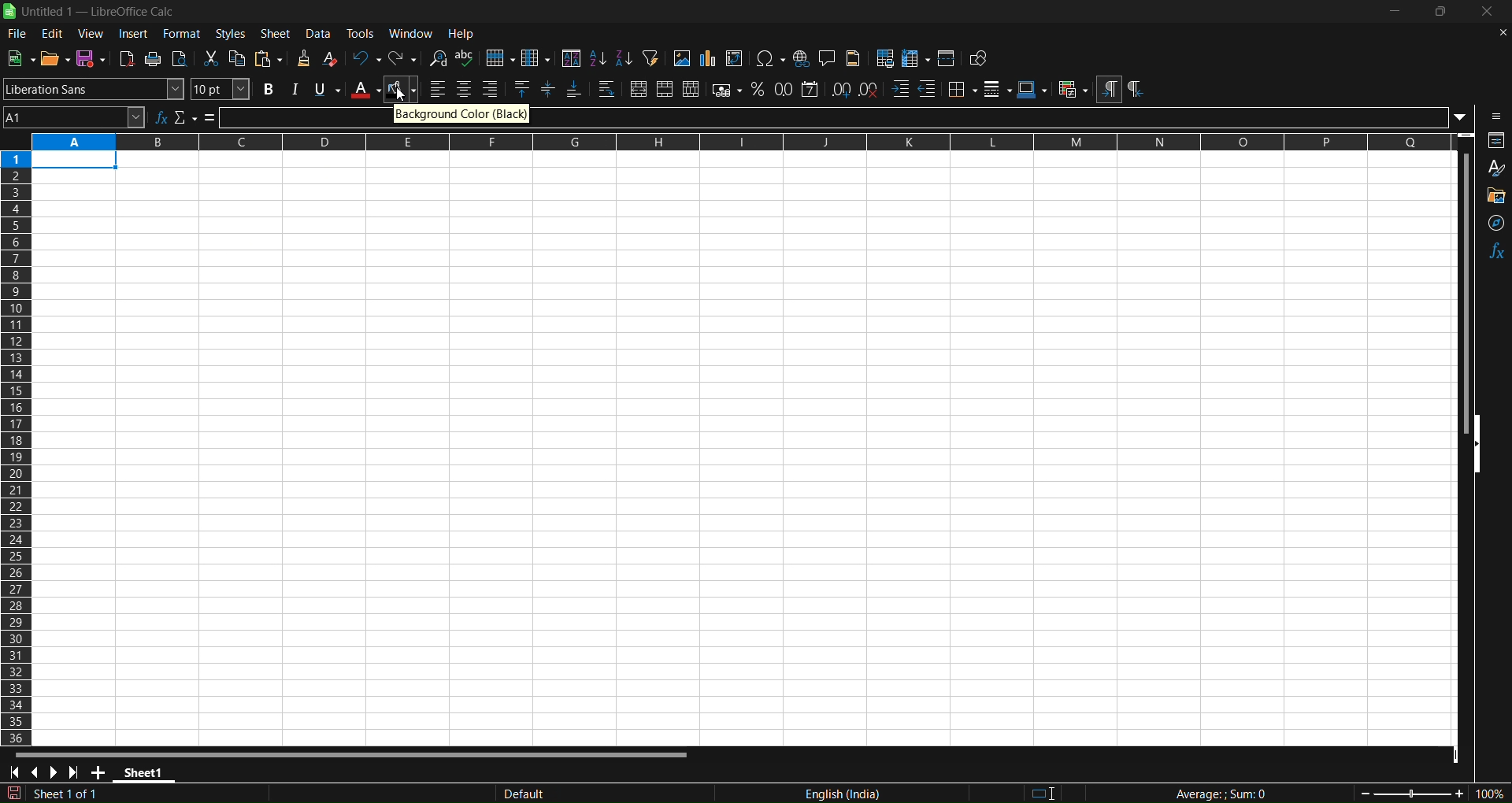 The image size is (1512, 803). What do you see at coordinates (187, 117) in the screenshot?
I see `select function` at bounding box center [187, 117].